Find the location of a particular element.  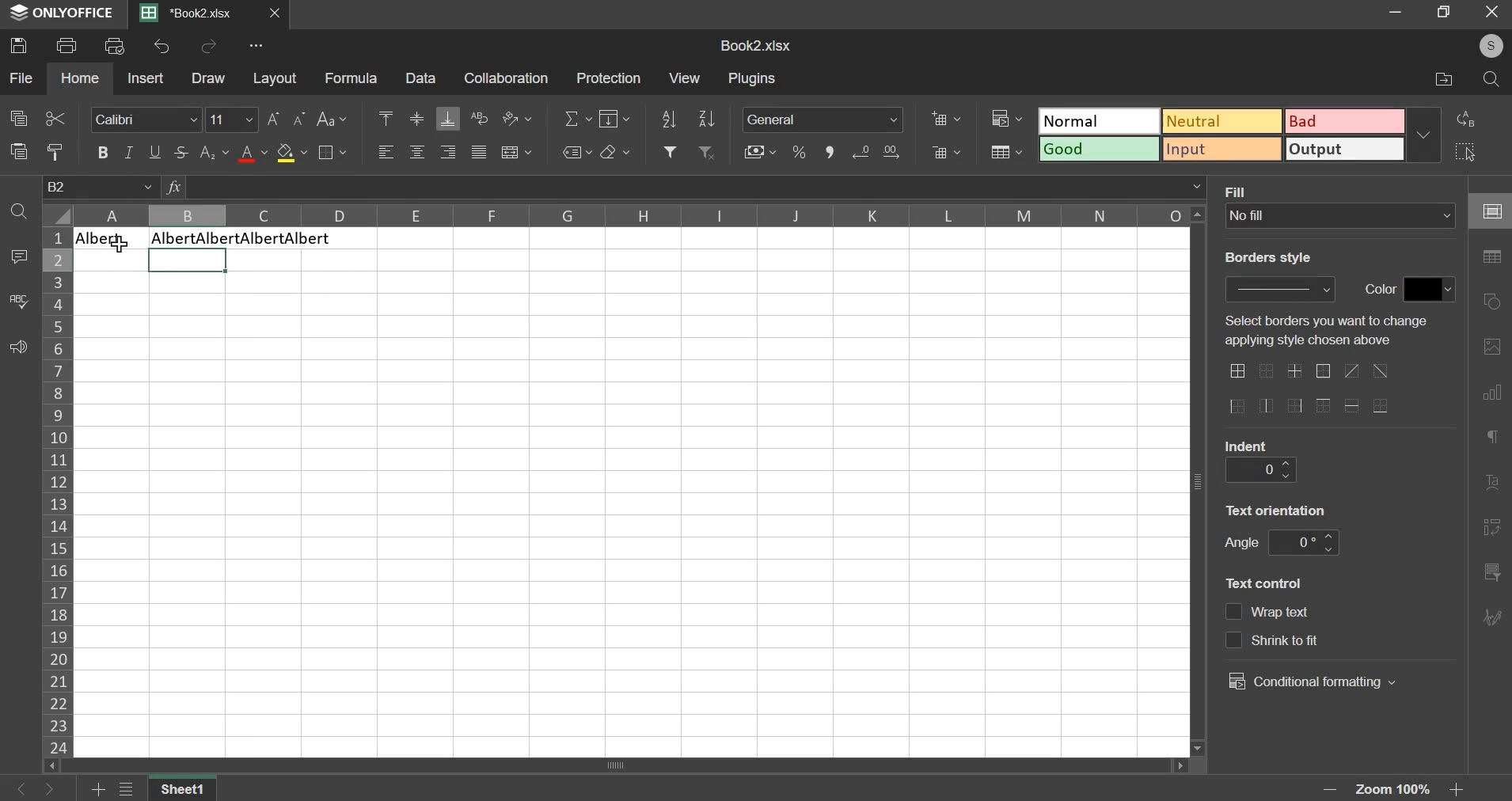

text is located at coordinates (1271, 586).